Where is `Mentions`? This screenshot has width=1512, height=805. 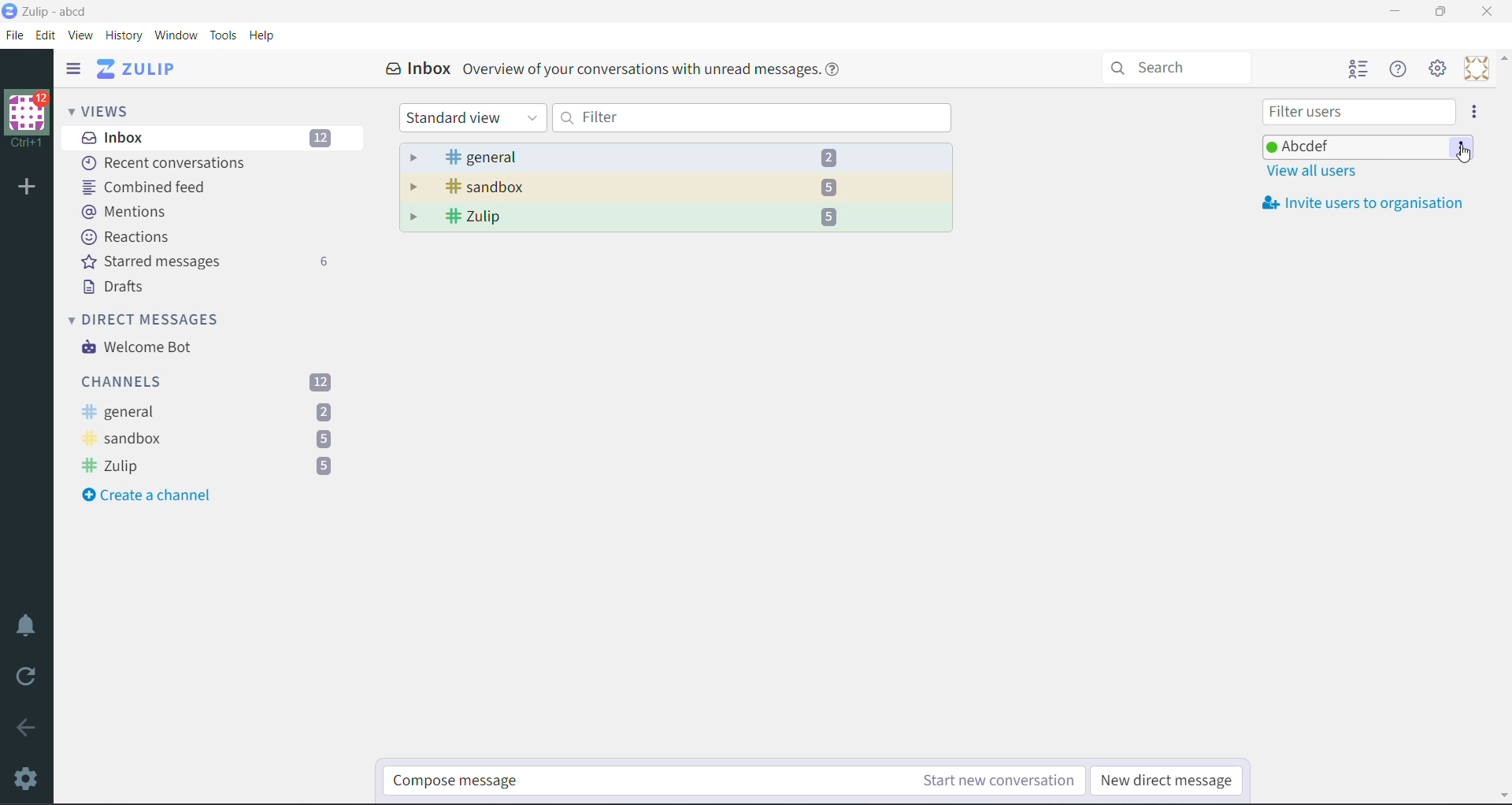
Mentions is located at coordinates (124, 212).